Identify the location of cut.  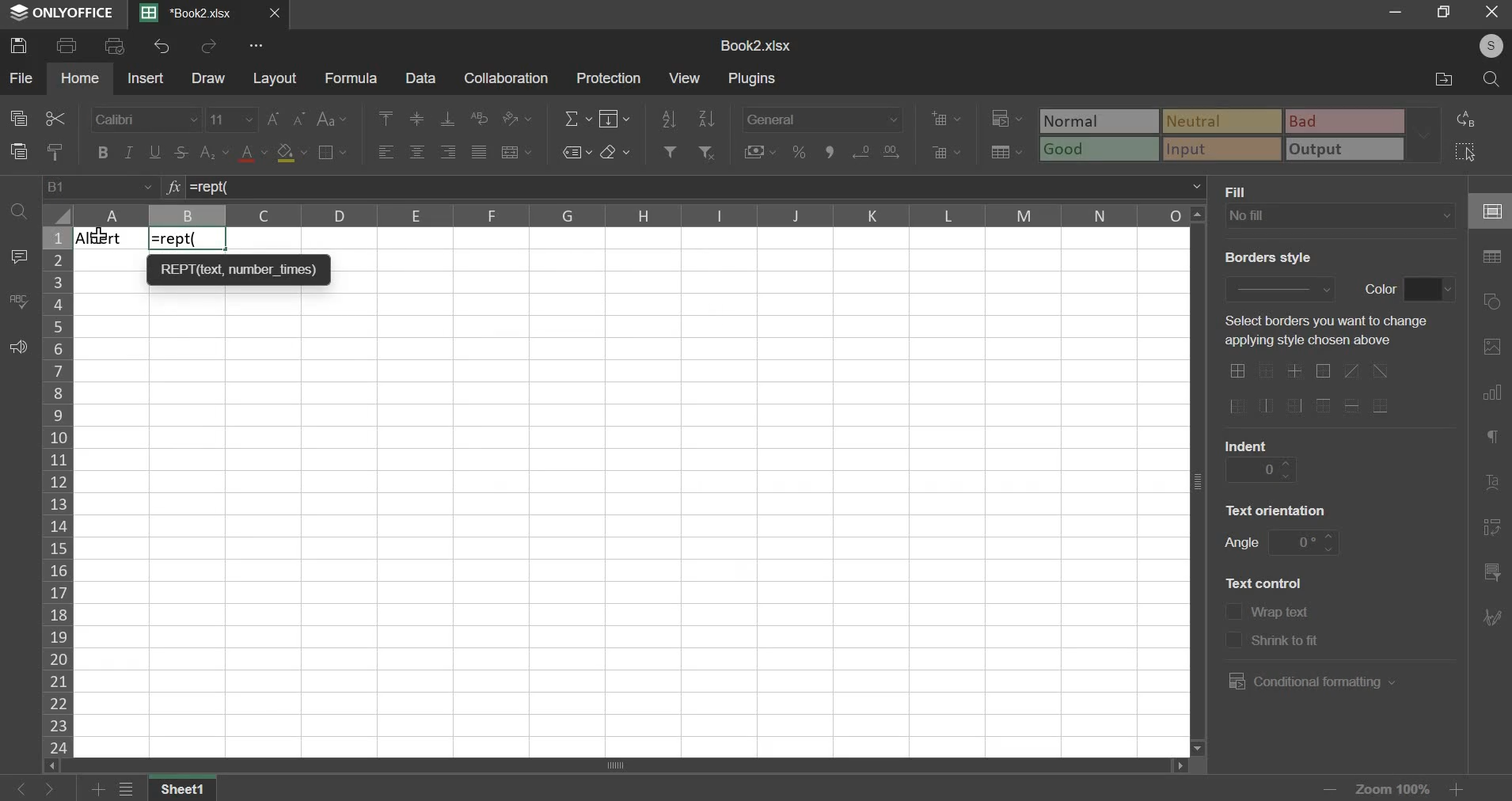
(55, 117).